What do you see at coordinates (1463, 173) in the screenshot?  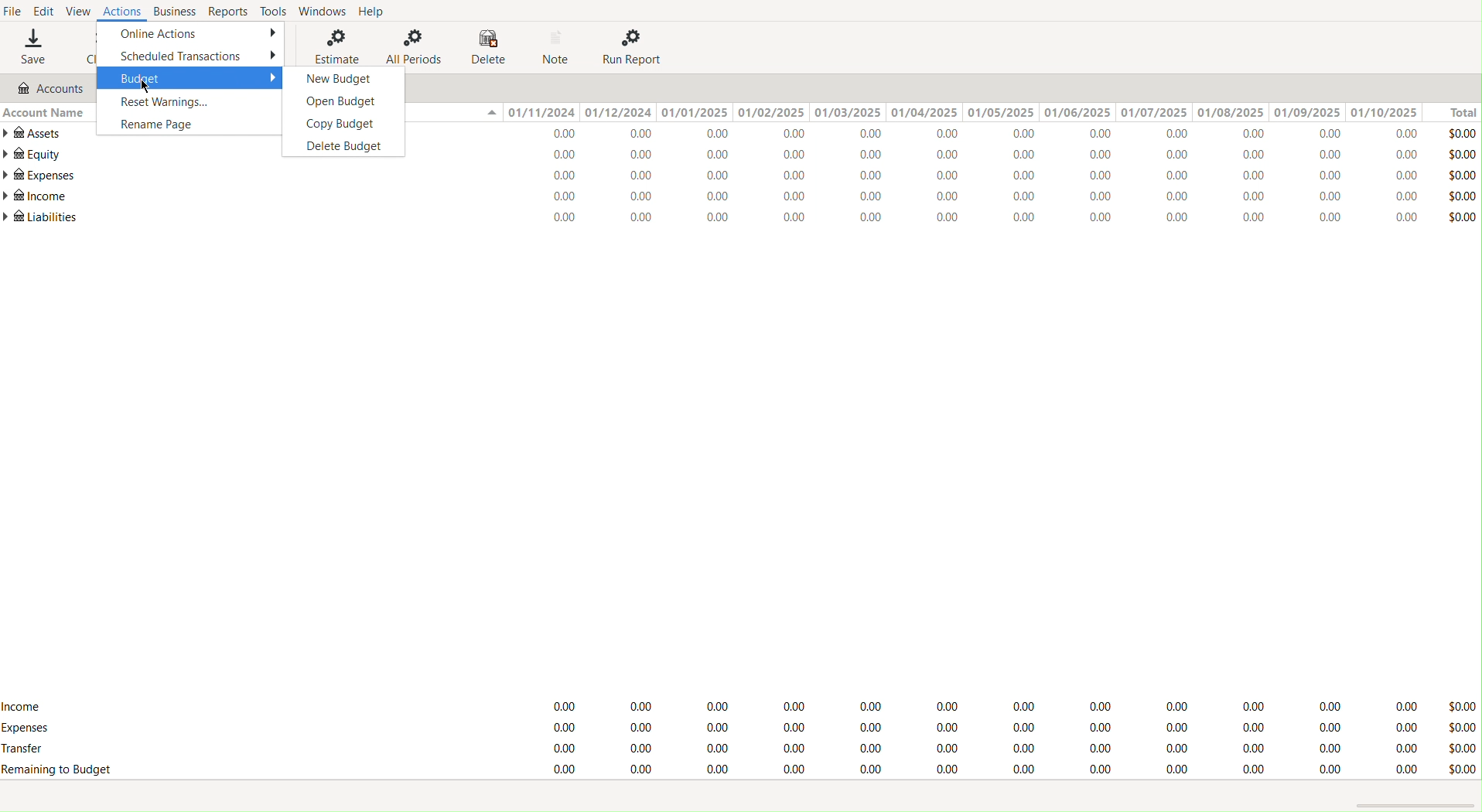 I see `Total Values` at bounding box center [1463, 173].